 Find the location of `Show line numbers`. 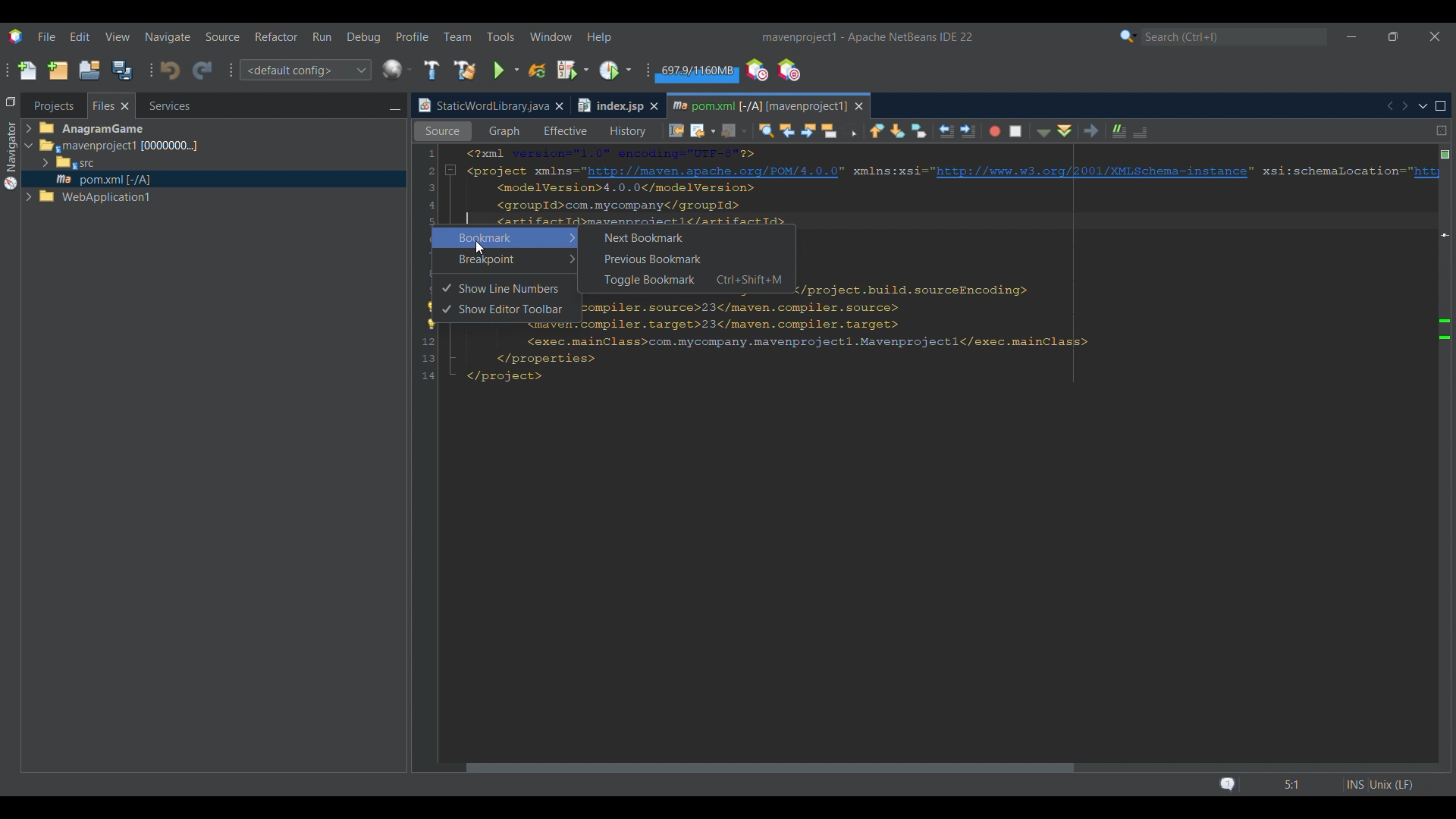

Show line numbers is located at coordinates (515, 289).